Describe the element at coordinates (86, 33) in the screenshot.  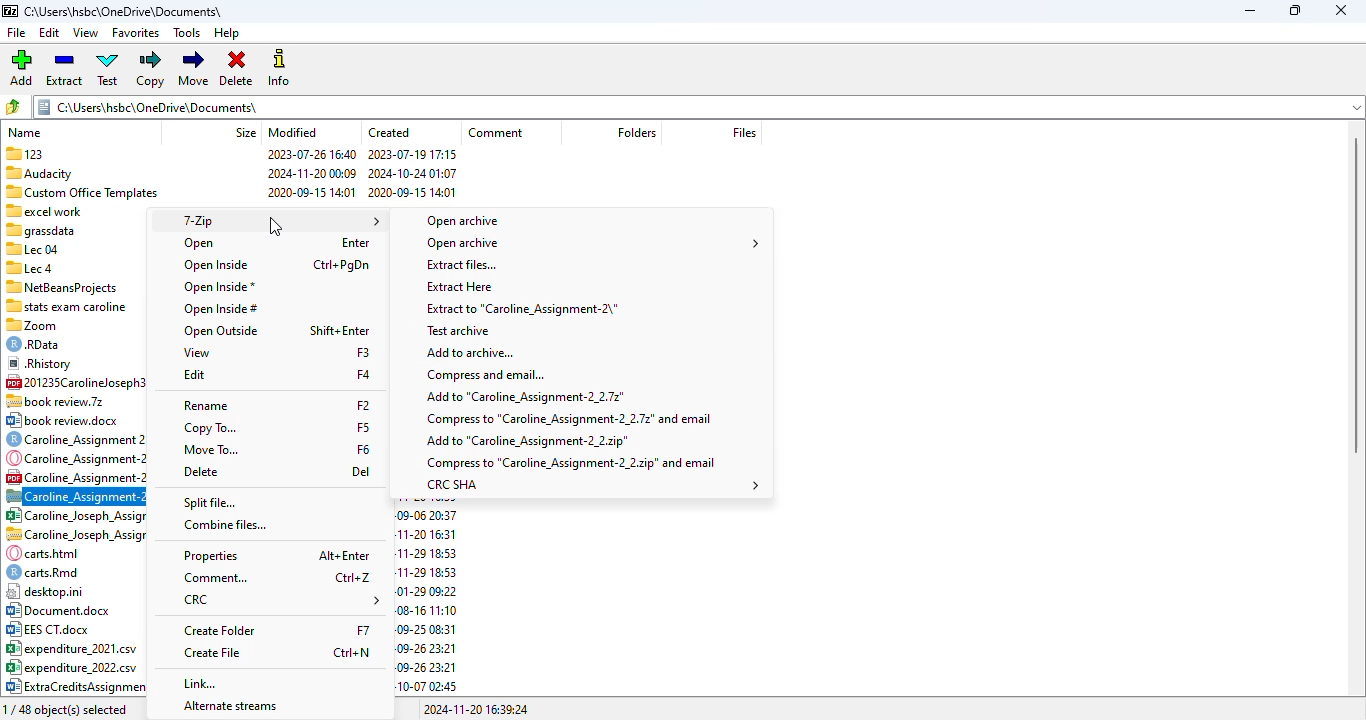
I see `view` at that location.